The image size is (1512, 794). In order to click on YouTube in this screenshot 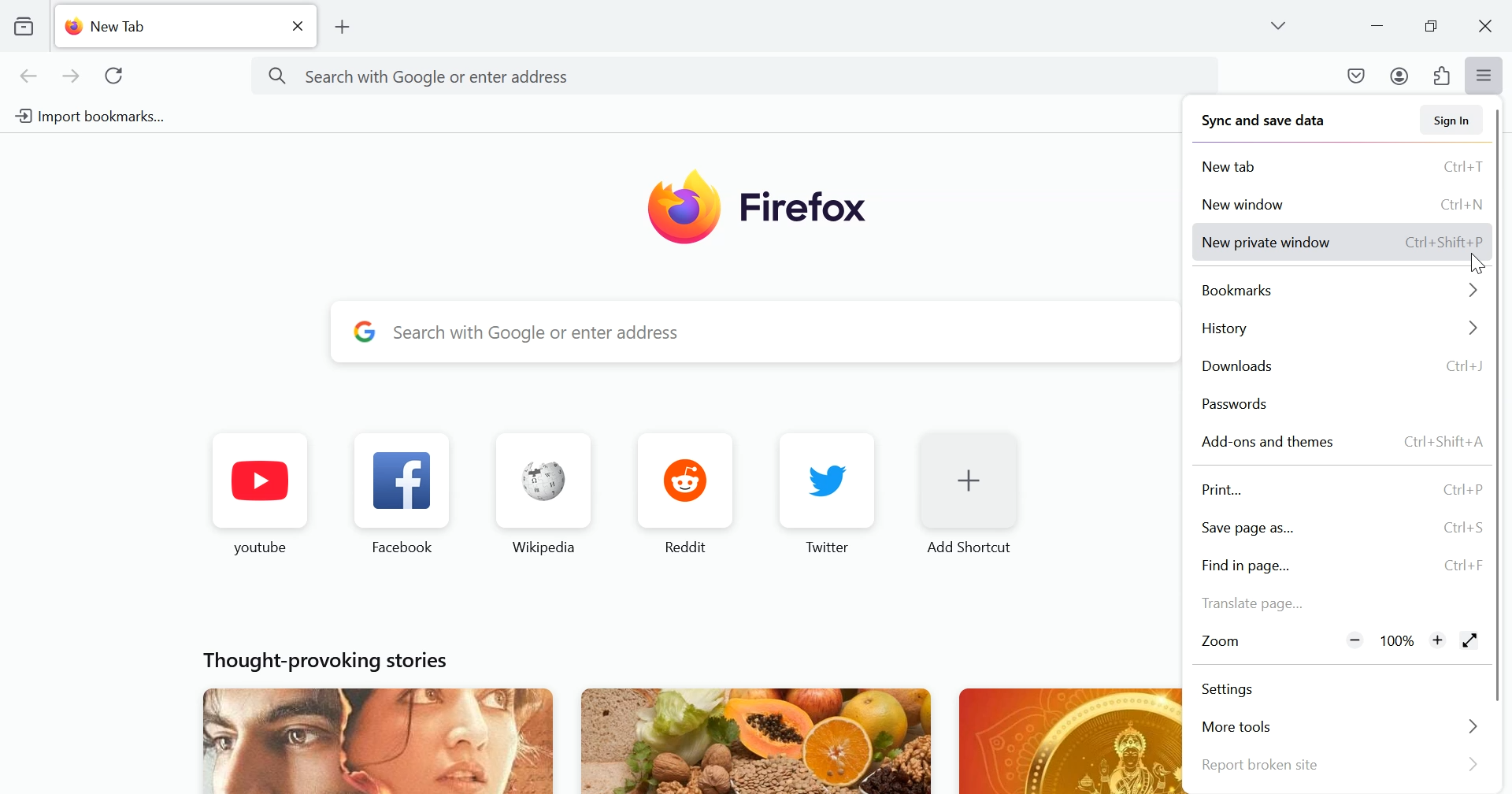, I will do `click(261, 492)`.